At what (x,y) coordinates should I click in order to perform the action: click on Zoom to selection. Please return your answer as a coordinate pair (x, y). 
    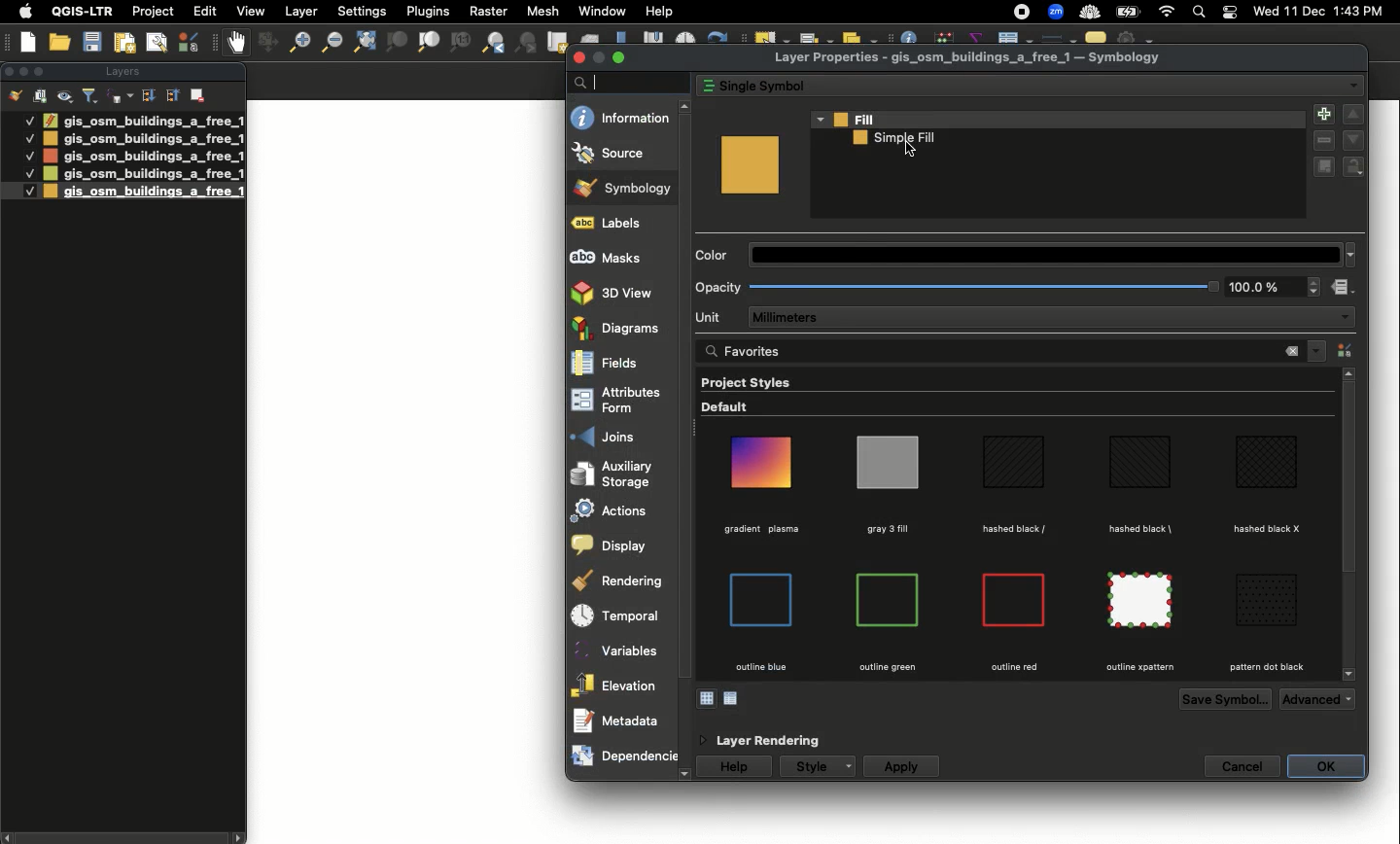
    Looking at the image, I should click on (397, 43).